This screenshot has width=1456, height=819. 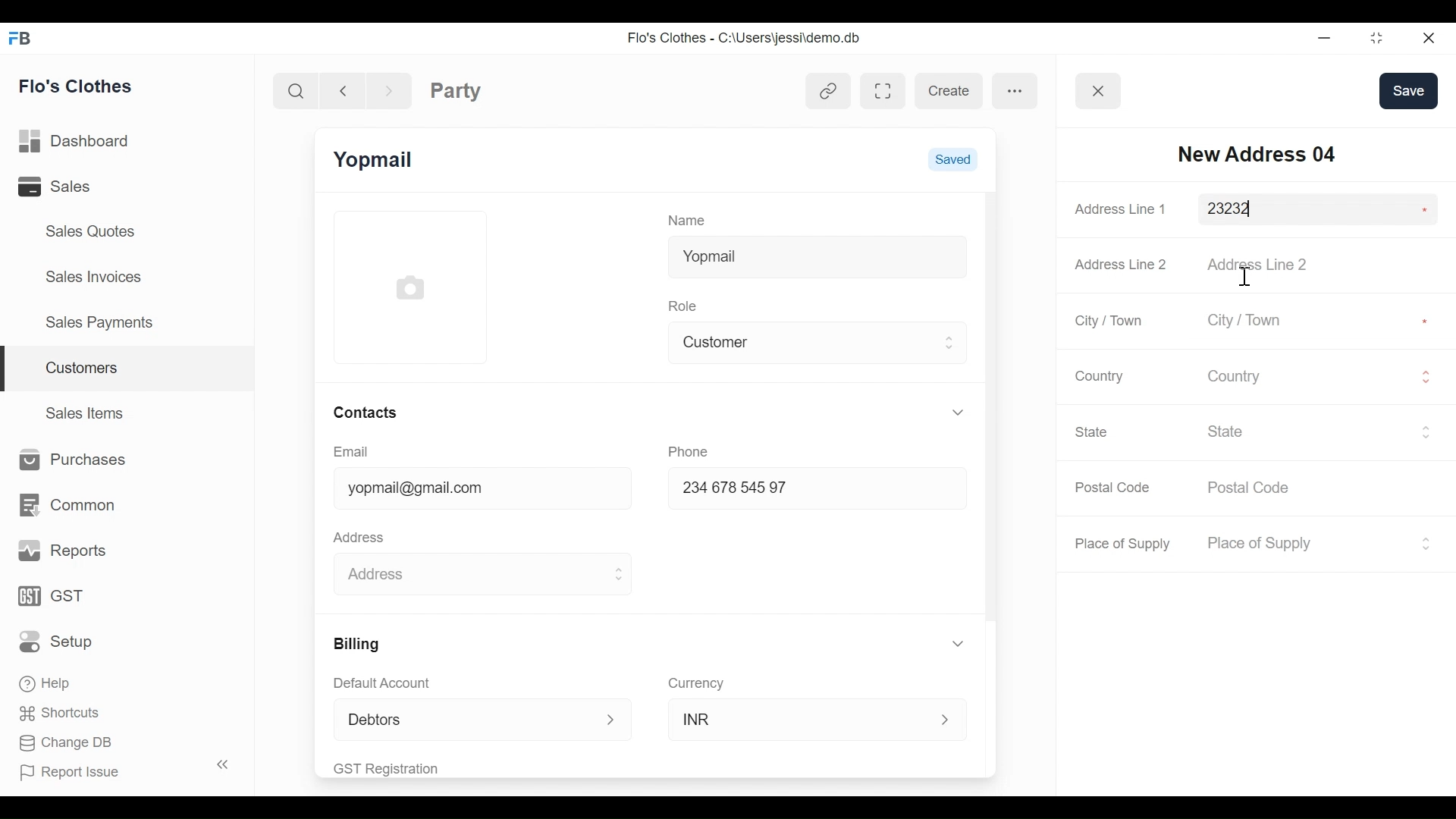 I want to click on Search, so click(x=299, y=90).